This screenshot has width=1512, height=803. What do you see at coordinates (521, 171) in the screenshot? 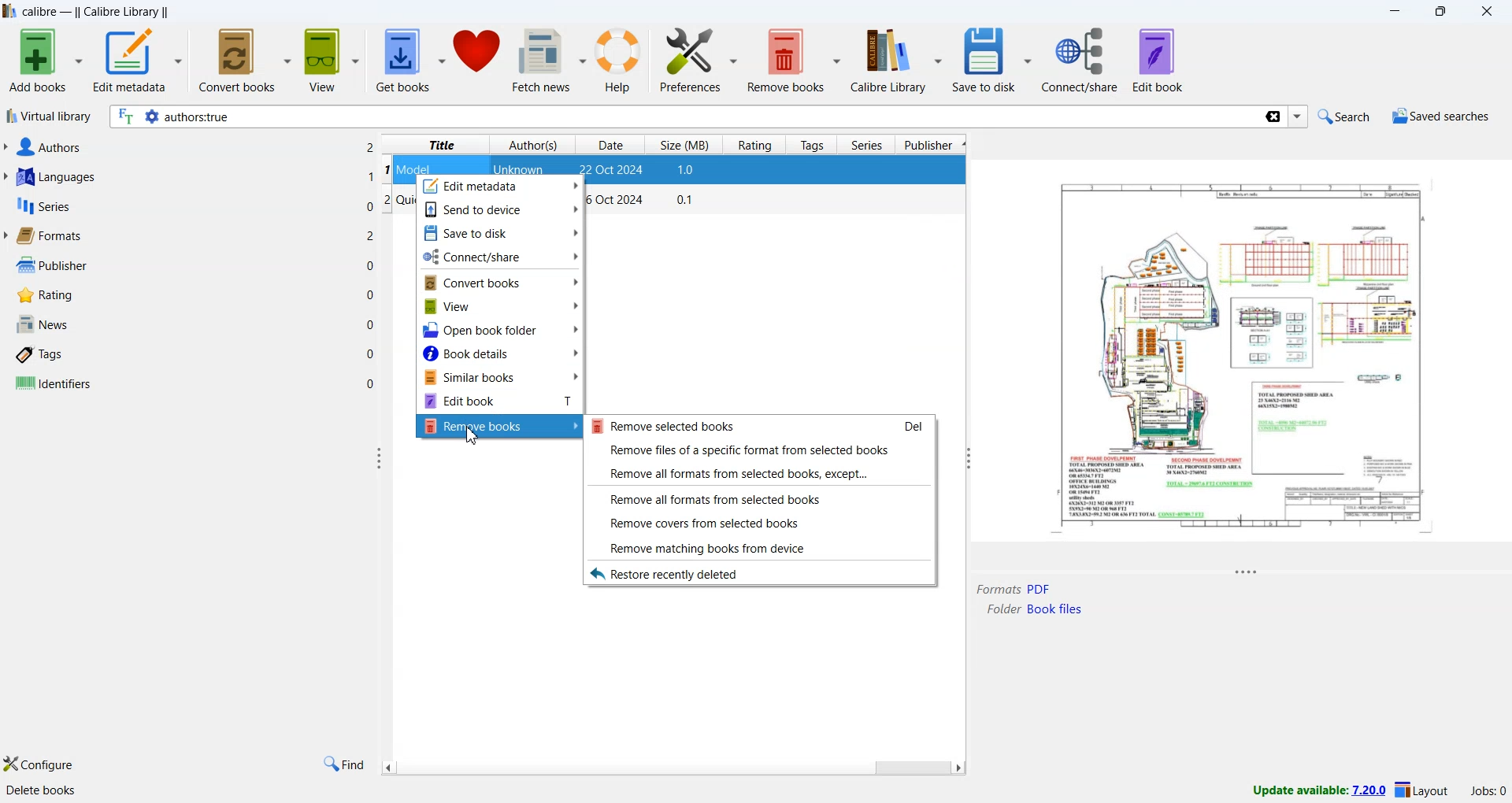
I see `unknown` at bounding box center [521, 171].